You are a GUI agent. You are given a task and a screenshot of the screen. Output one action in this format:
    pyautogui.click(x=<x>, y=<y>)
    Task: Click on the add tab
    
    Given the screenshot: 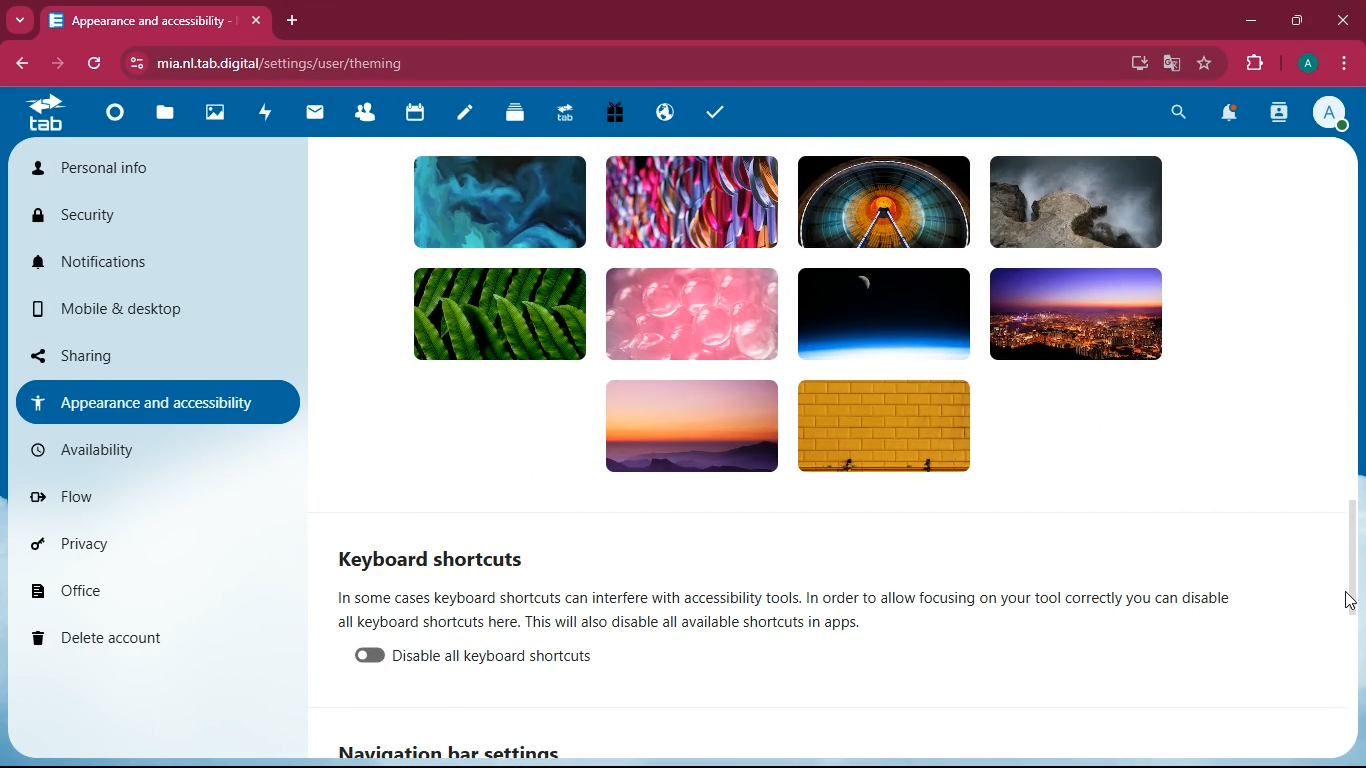 What is the action you would take?
    pyautogui.click(x=292, y=21)
    